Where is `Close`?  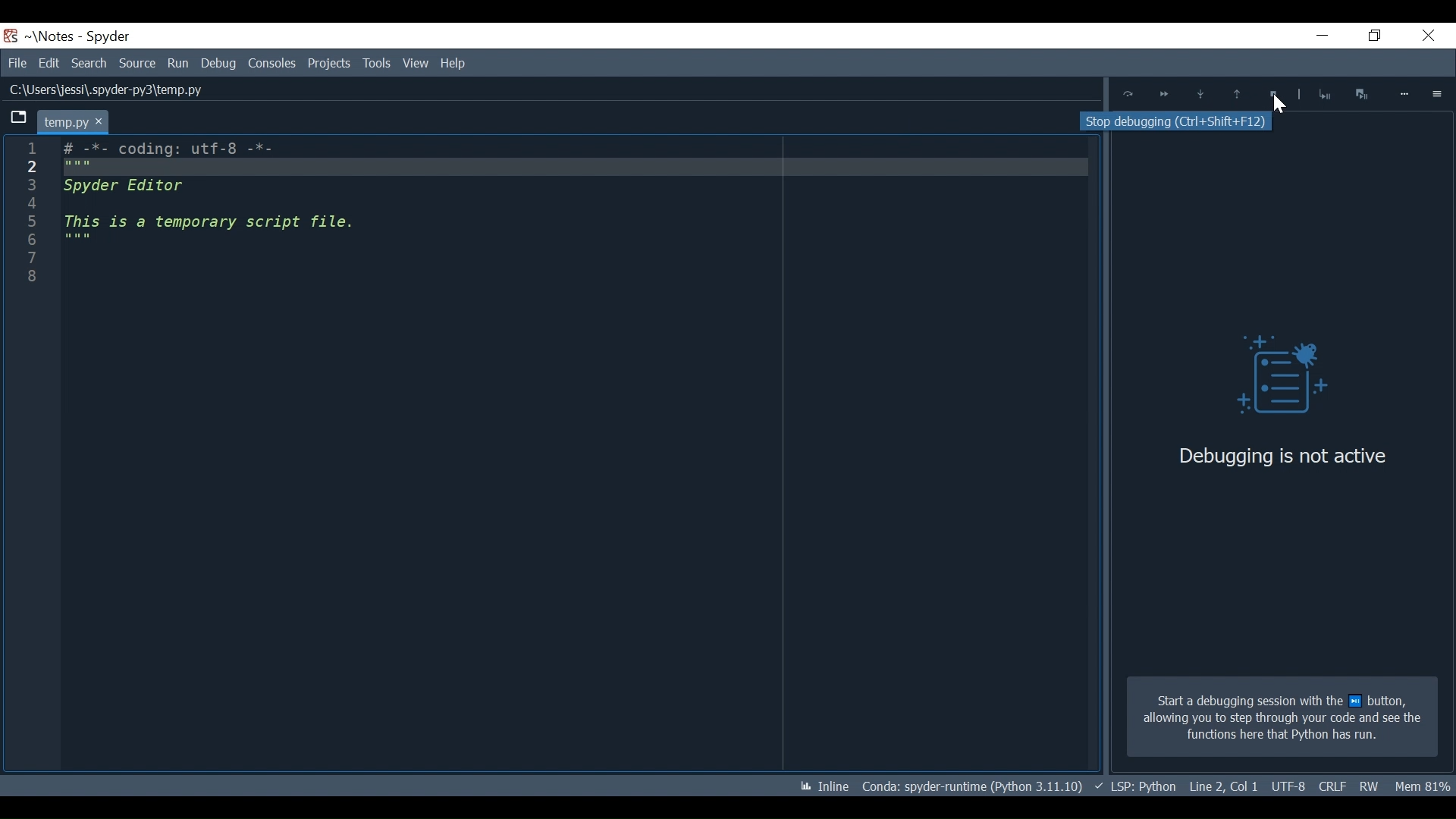
Close is located at coordinates (1425, 37).